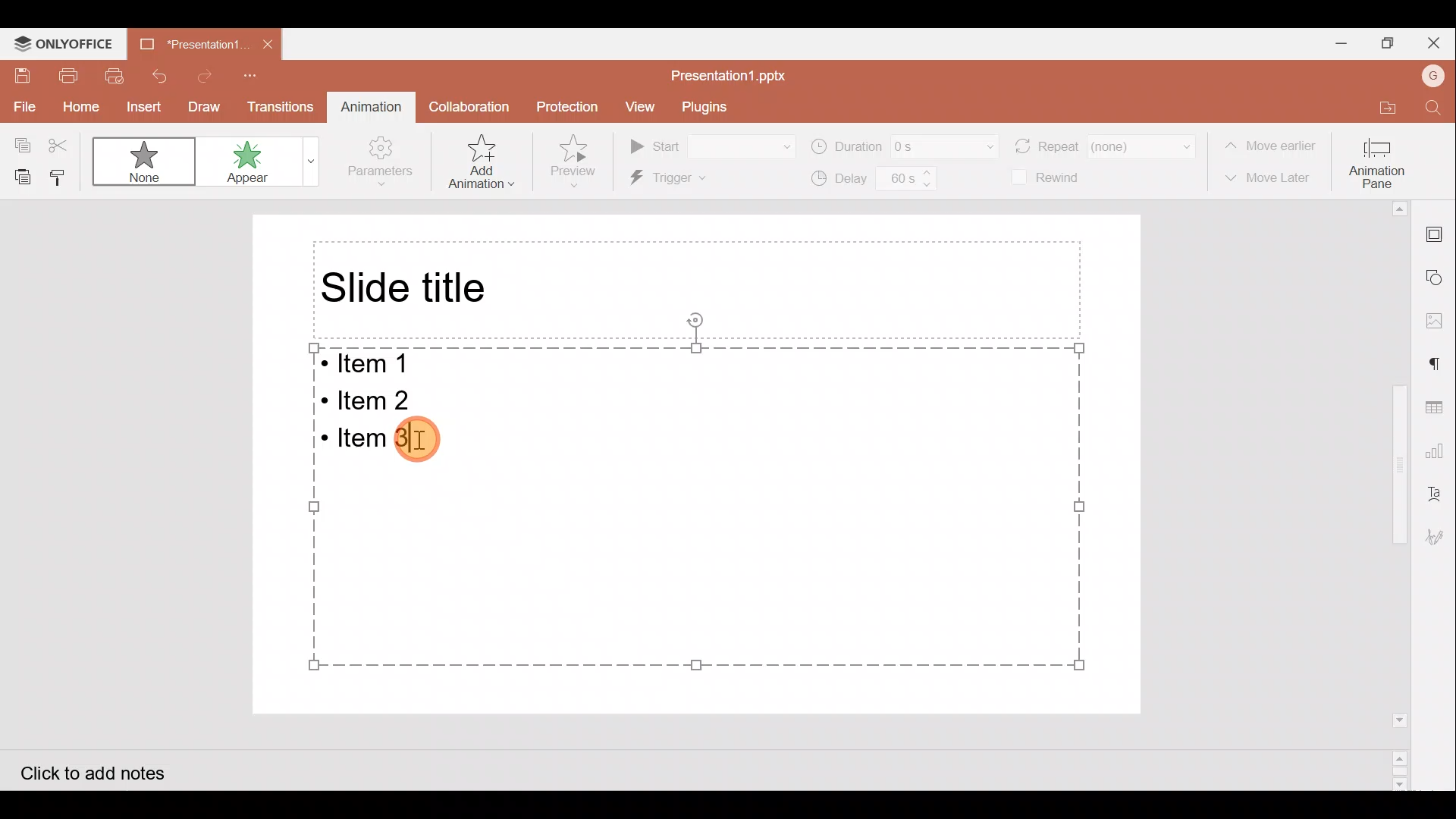 This screenshot has height=819, width=1456. I want to click on Presentation slide, so click(806, 454).